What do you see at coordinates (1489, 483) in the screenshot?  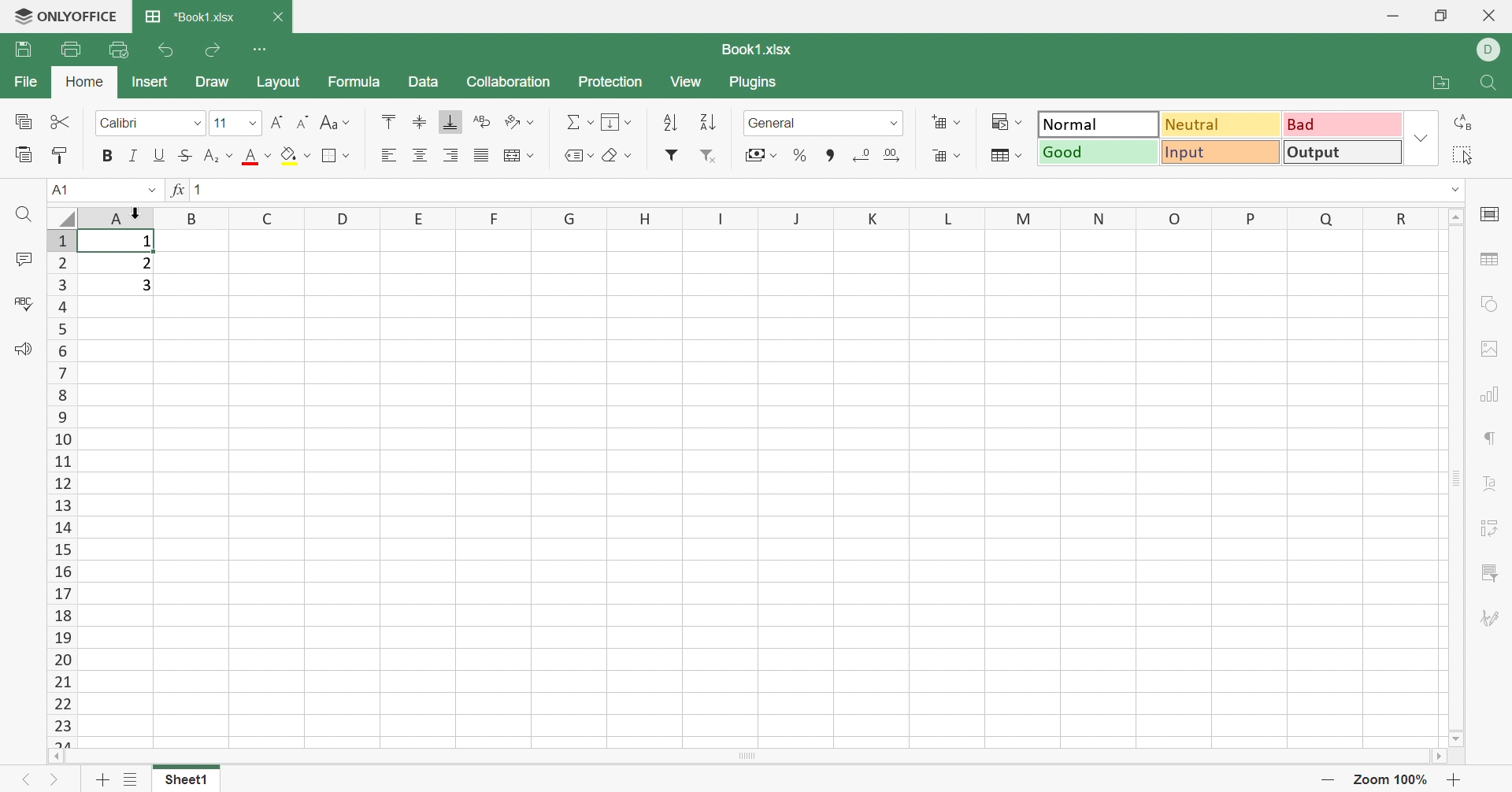 I see `Text art settings` at bounding box center [1489, 483].